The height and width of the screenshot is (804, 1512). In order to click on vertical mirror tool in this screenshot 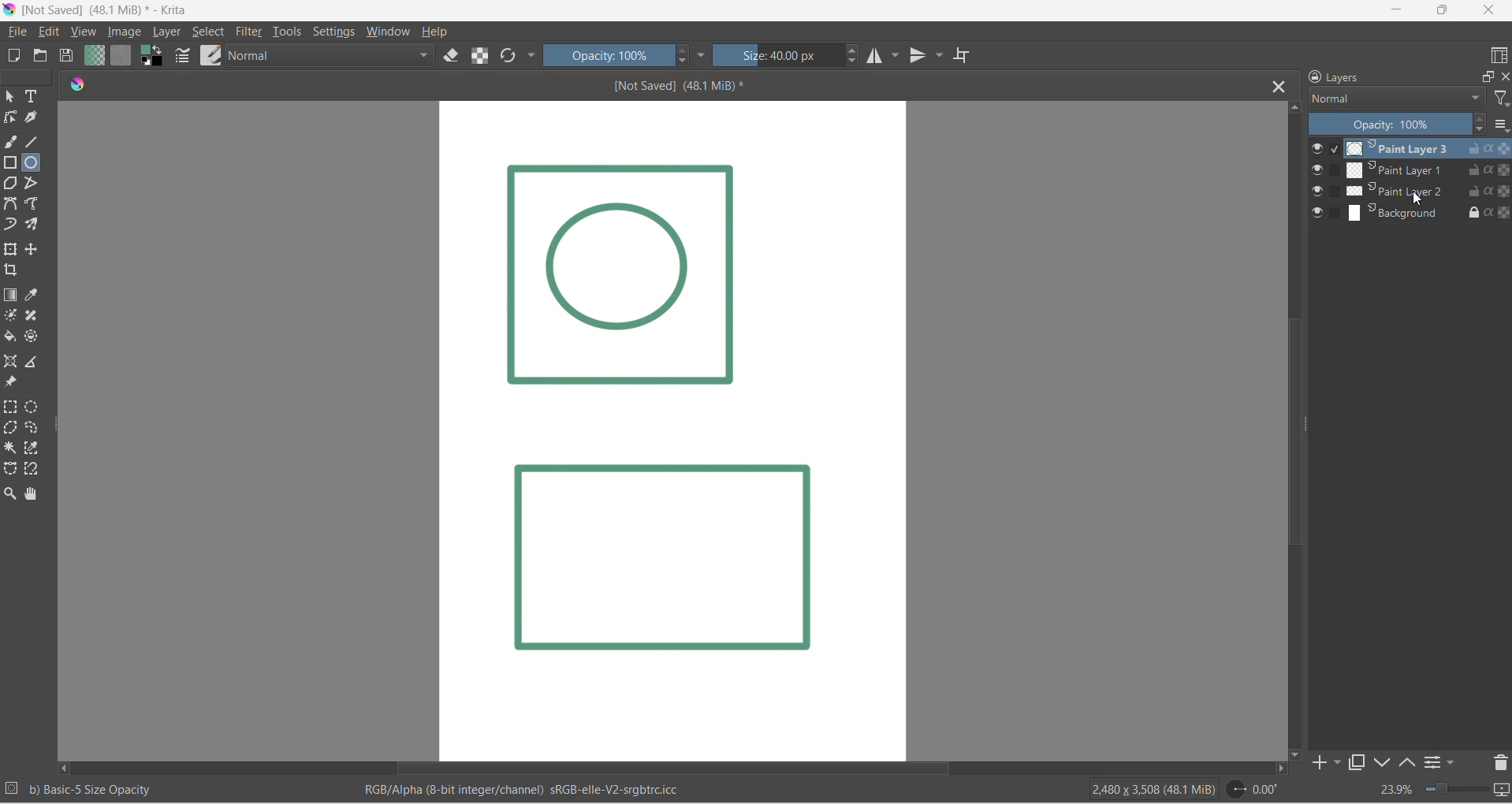, I will do `click(929, 56)`.